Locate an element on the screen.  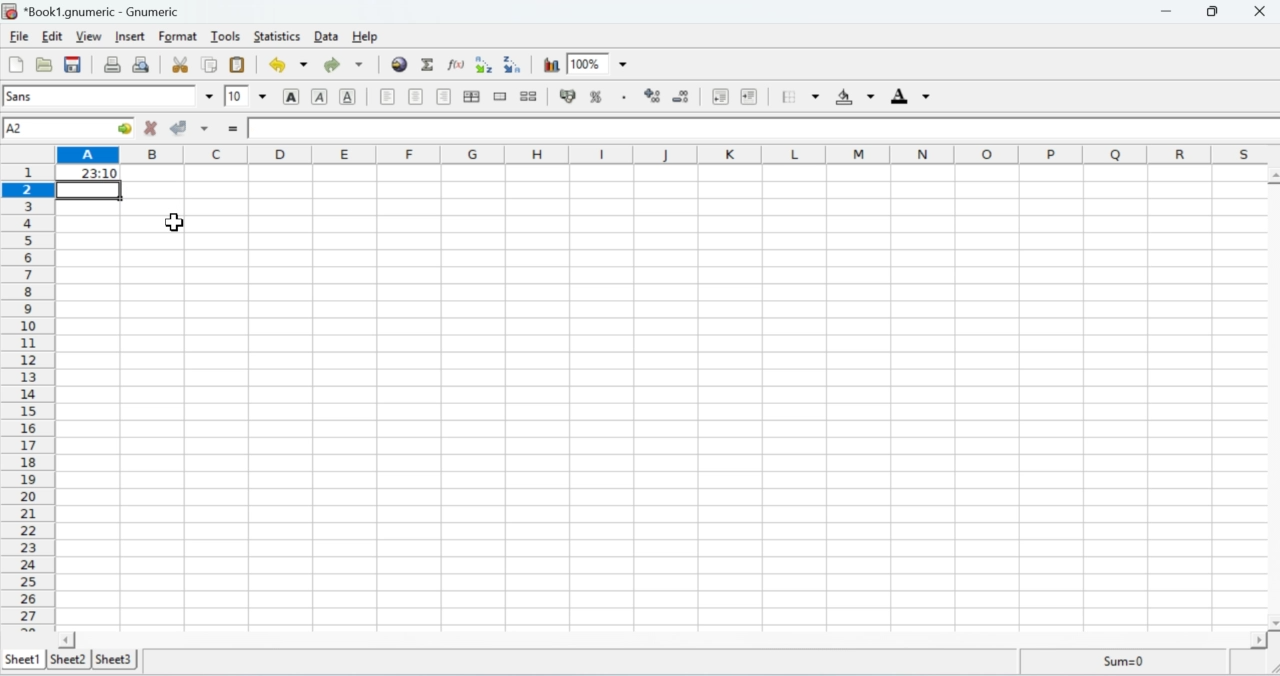
Book1.gnumeric - Gnumeric is located at coordinates (106, 13).